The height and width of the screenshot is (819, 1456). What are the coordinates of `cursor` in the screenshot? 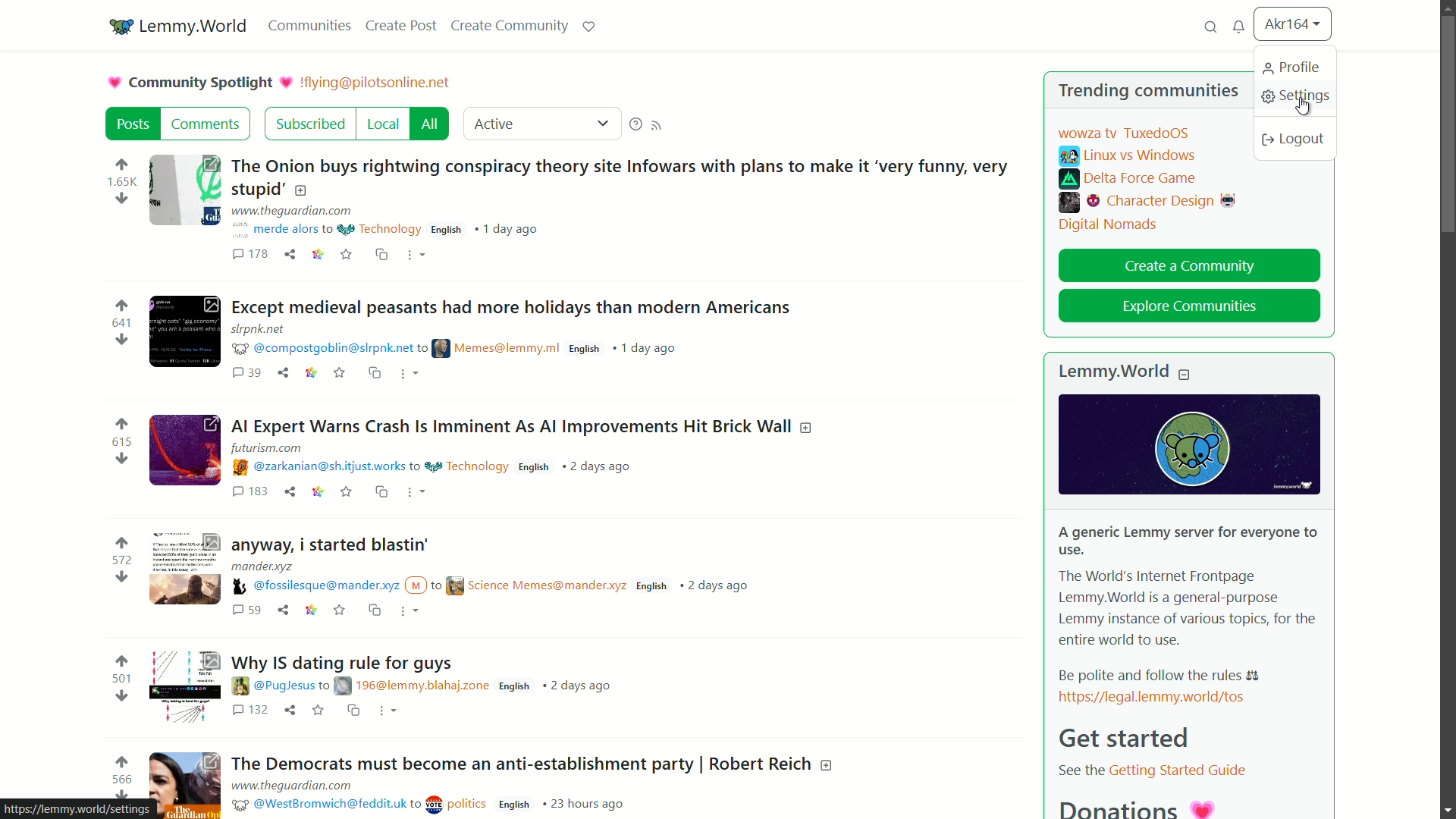 It's located at (1304, 105).